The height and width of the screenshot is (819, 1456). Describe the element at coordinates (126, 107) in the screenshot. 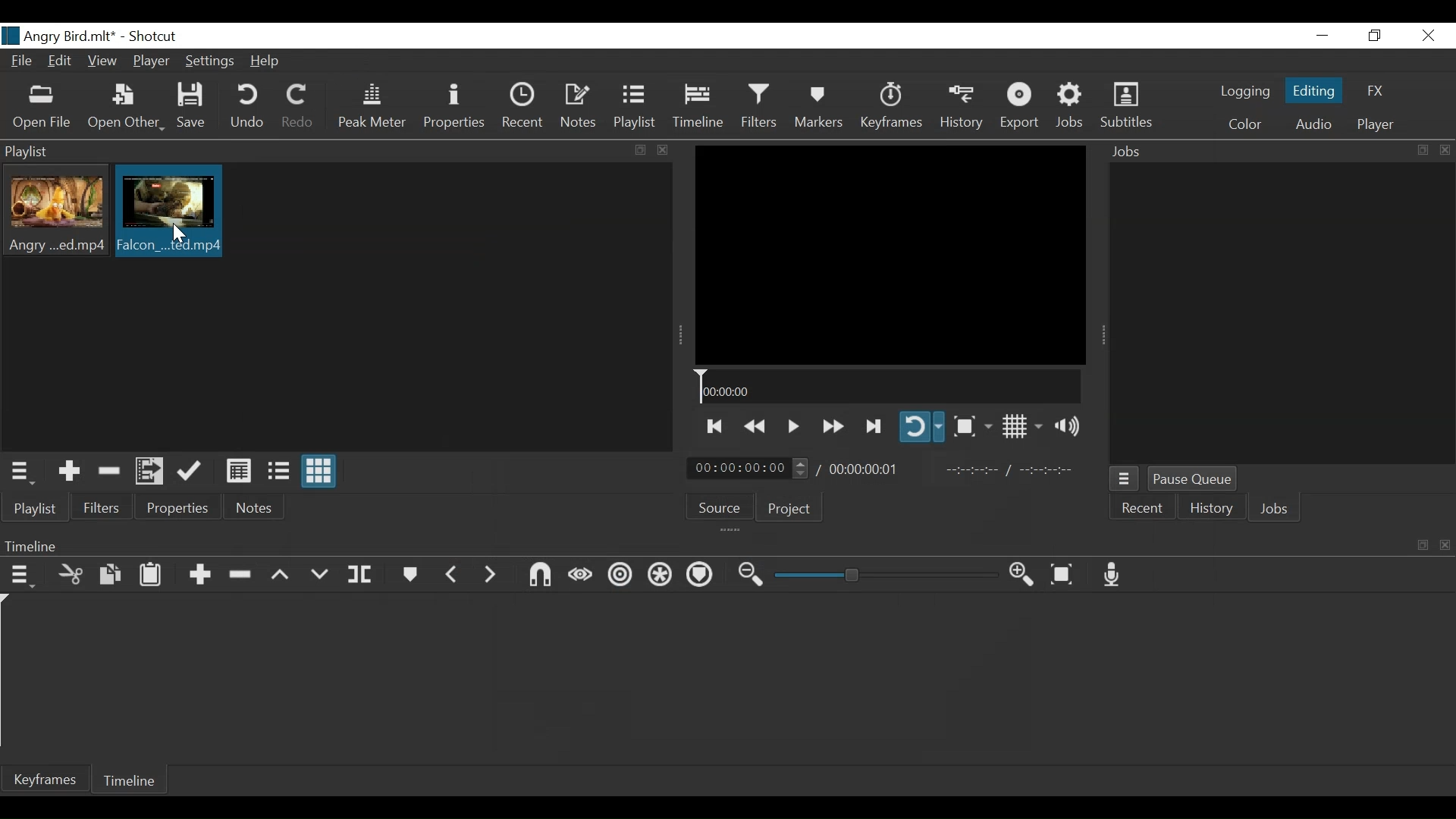

I see `Open Other` at that location.